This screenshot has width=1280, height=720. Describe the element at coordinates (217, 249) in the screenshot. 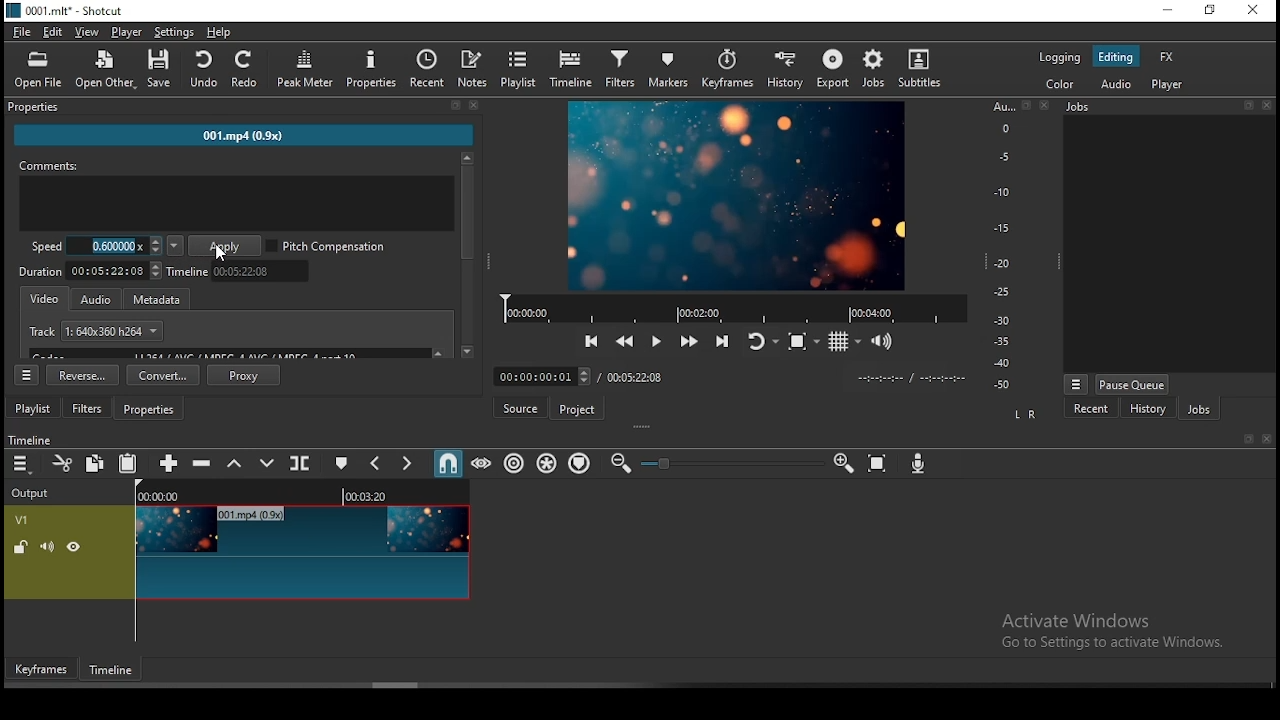

I see `mouse pointer` at that location.